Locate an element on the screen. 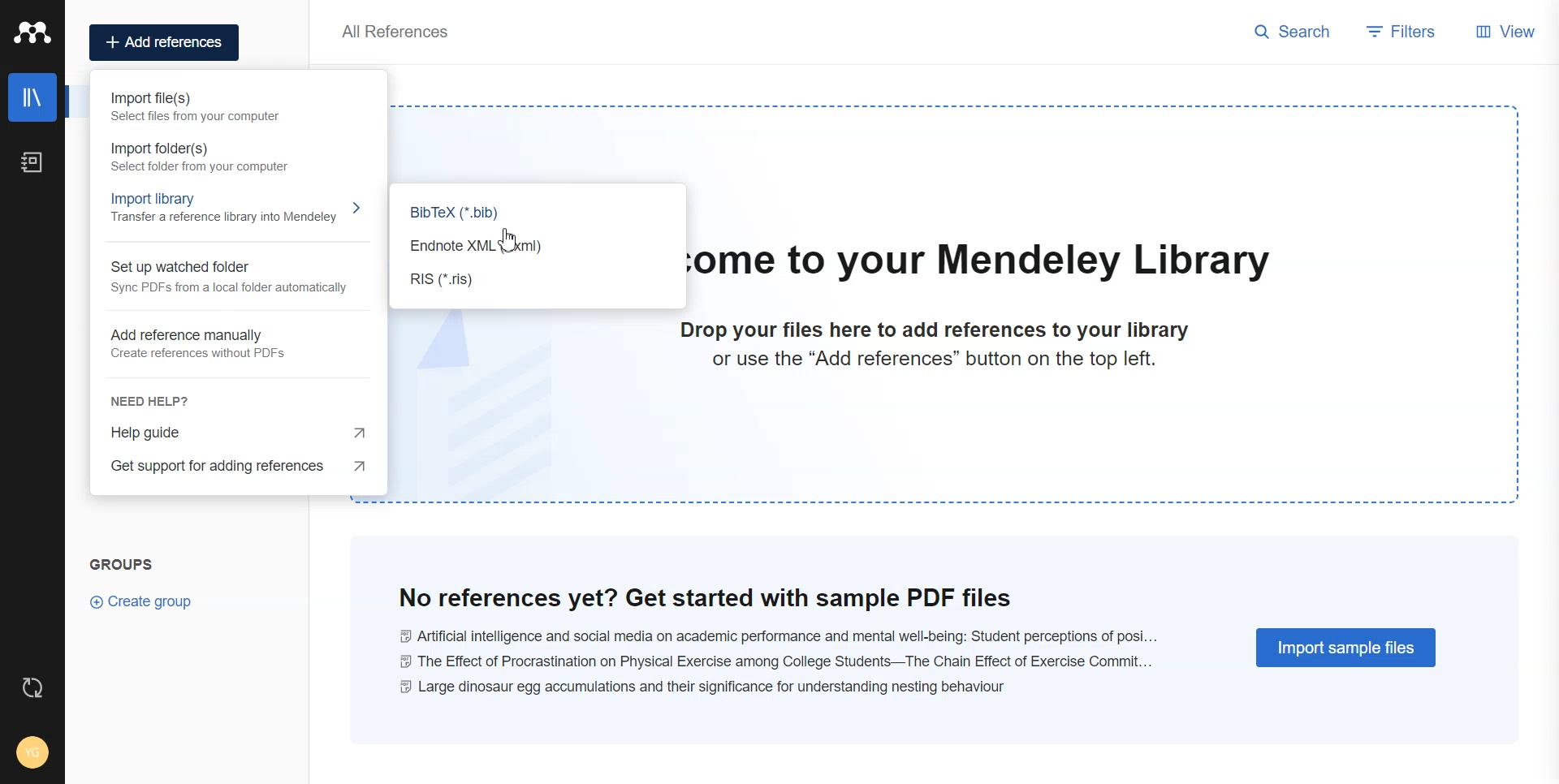 The height and width of the screenshot is (784, 1559). Add reference manually
Create references without PDFs is located at coordinates (208, 344).